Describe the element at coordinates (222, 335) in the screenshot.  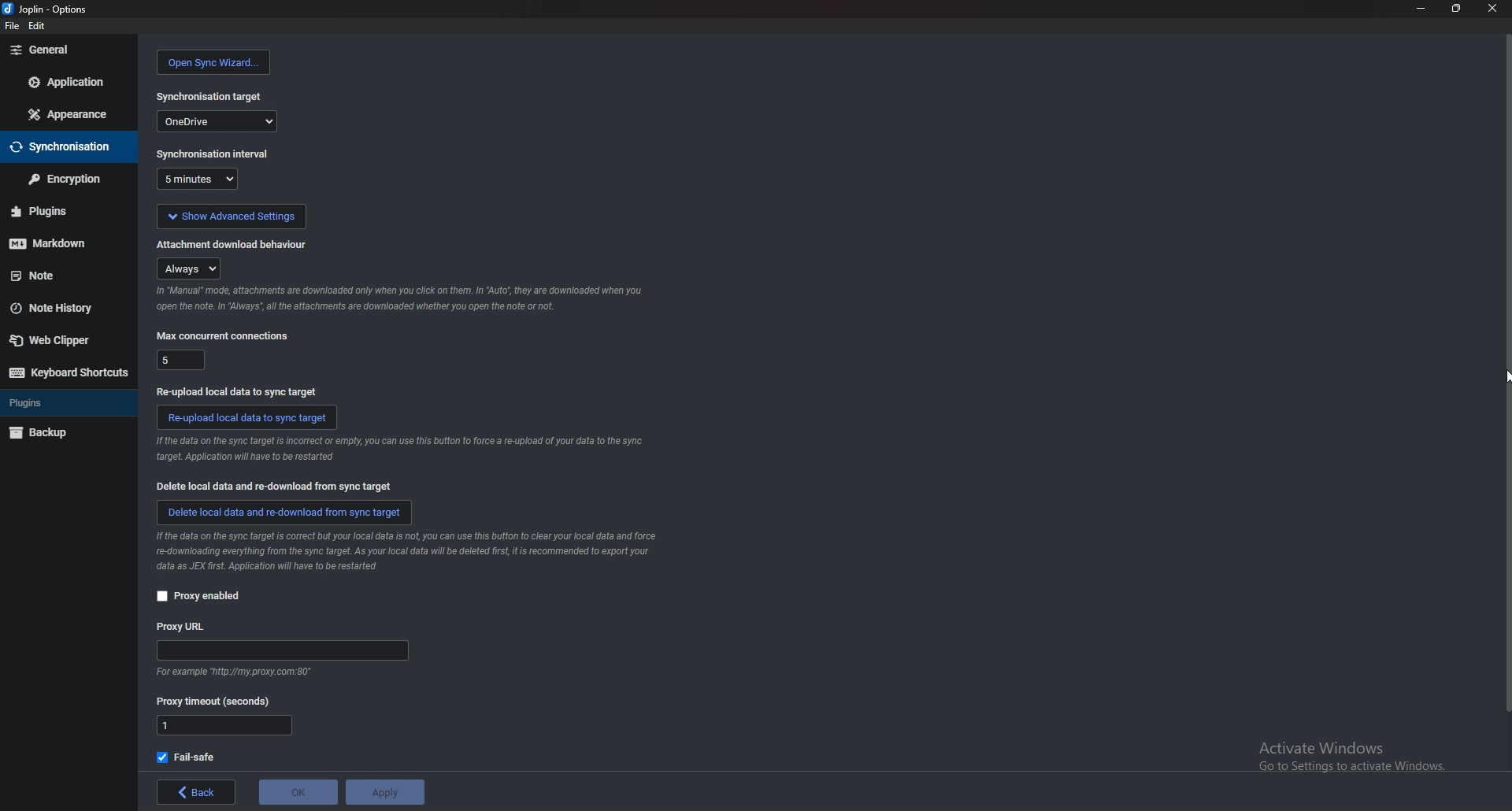
I see `max concurrent connections` at that location.